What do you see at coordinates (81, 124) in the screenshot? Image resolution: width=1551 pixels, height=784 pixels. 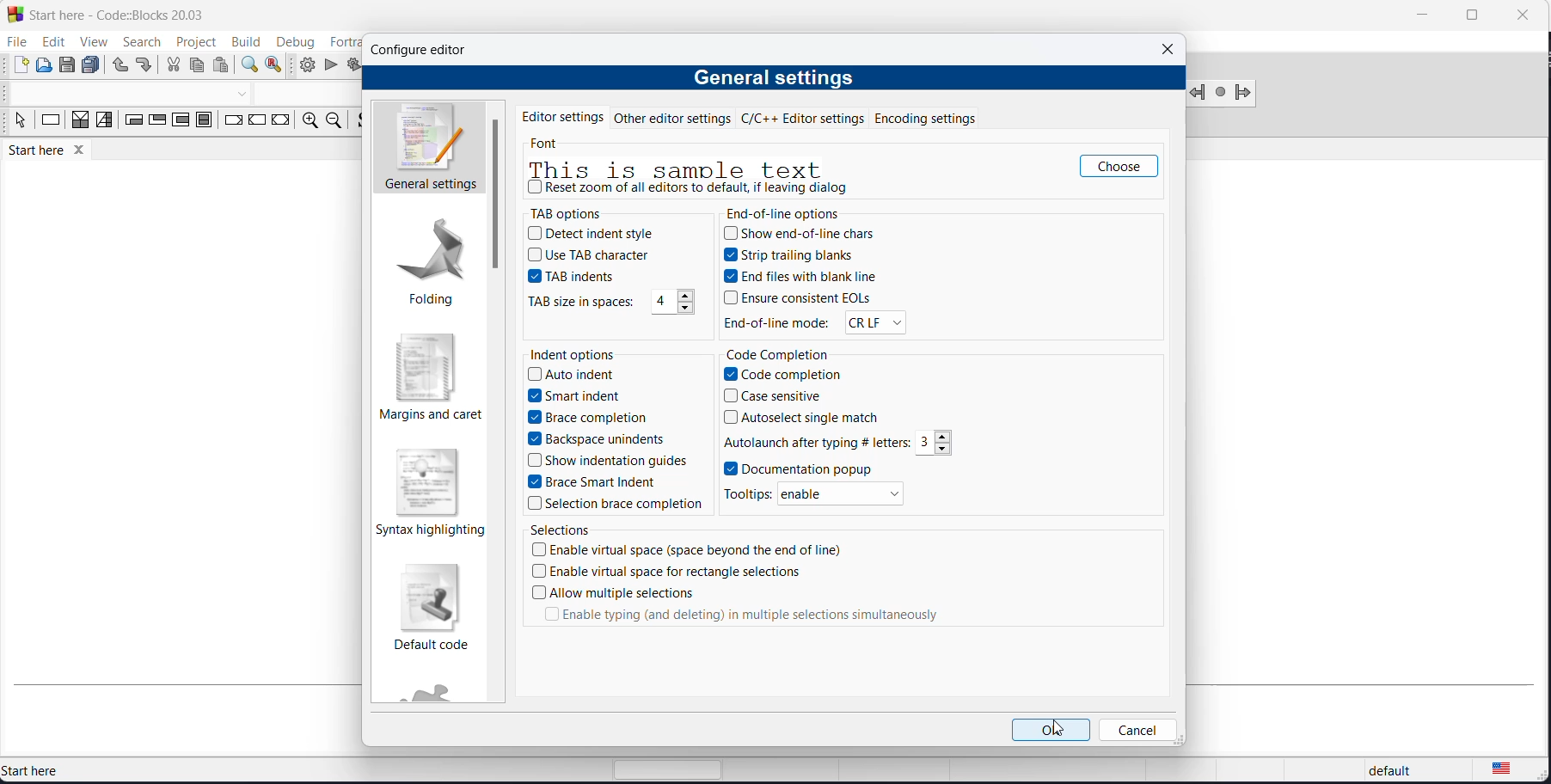 I see `decision` at bounding box center [81, 124].